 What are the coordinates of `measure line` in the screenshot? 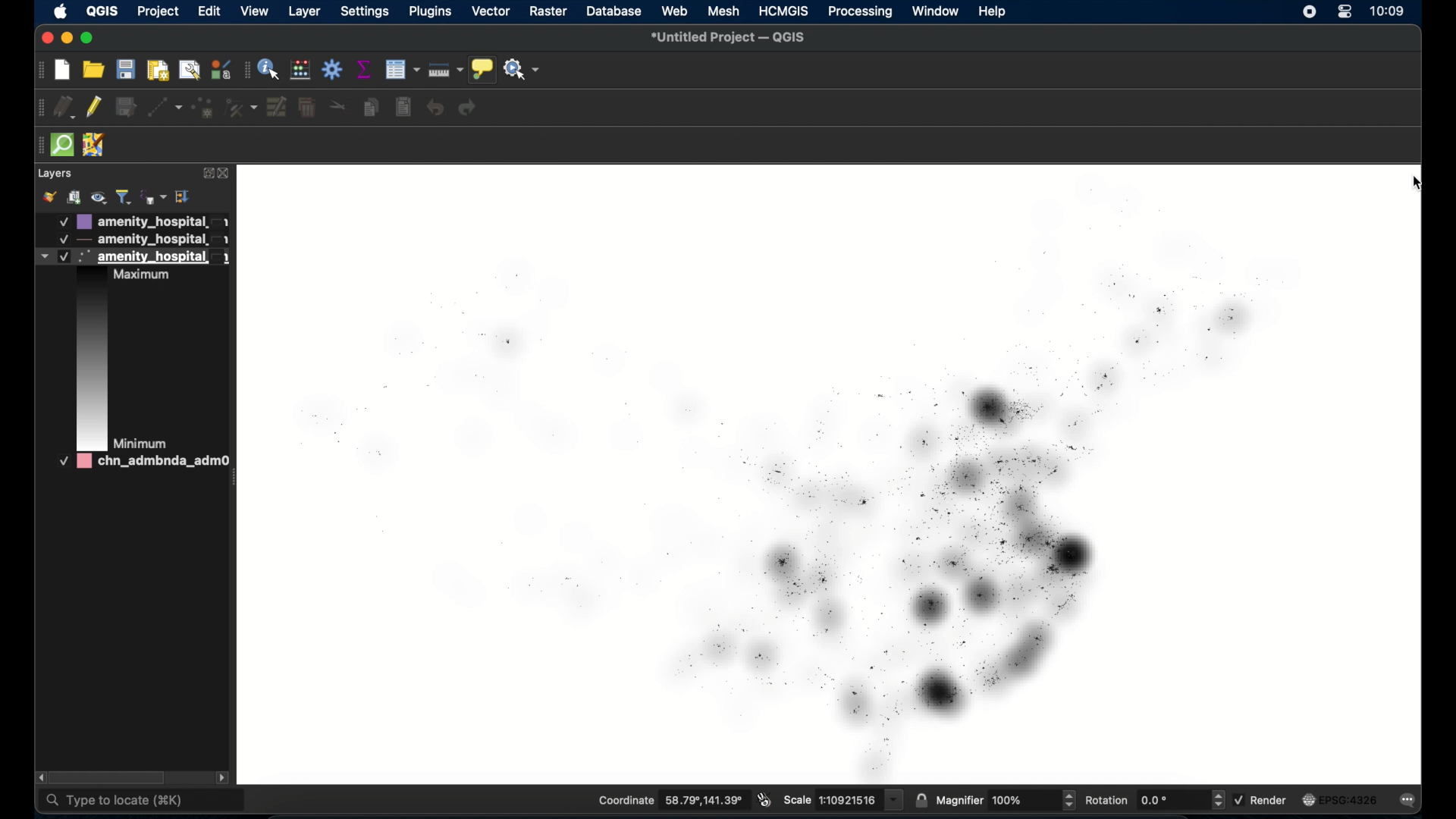 It's located at (446, 69).